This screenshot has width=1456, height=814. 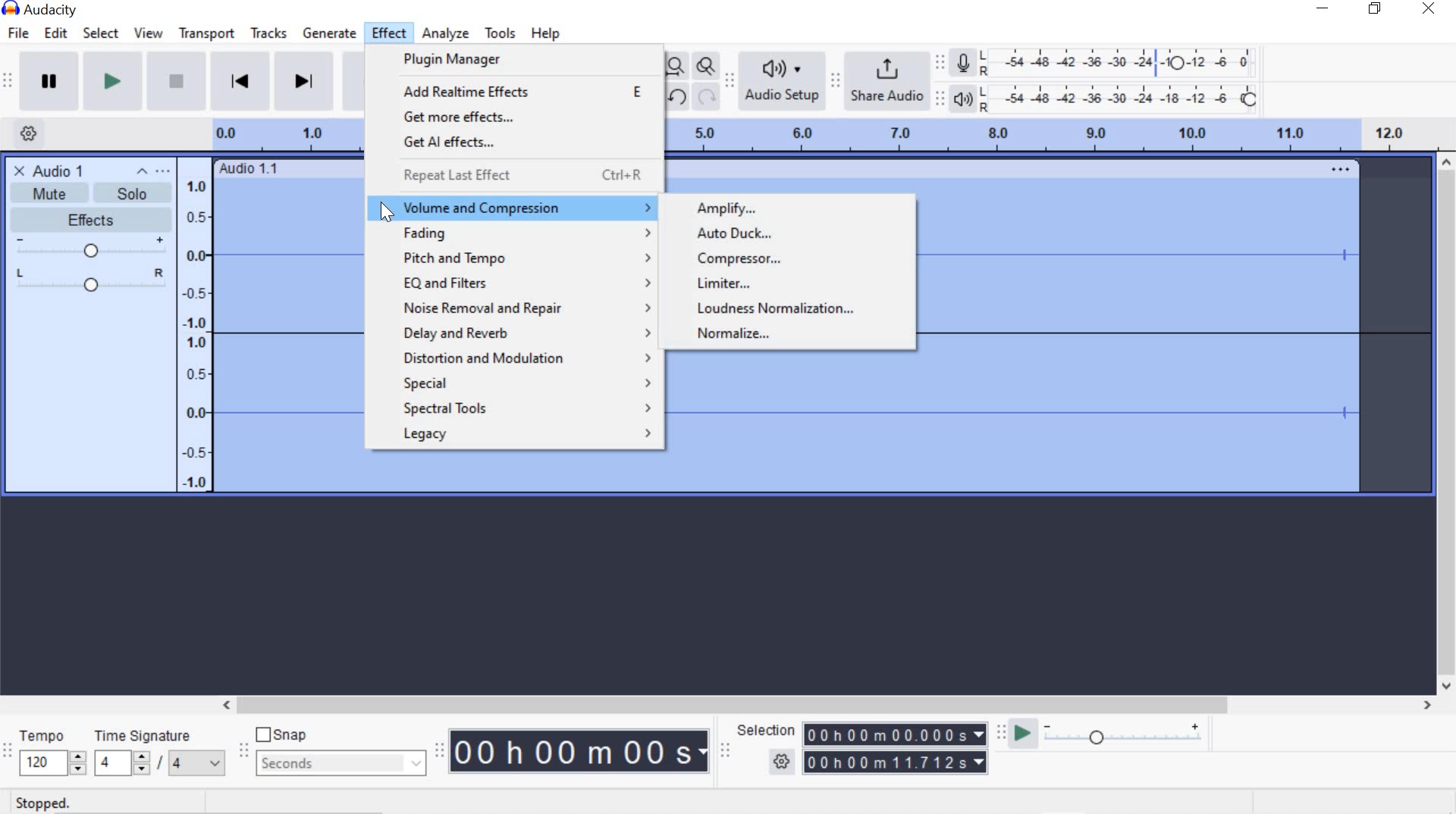 What do you see at coordinates (889, 82) in the screenshot?
I see `Share audio` at bounding box center [889, 82].